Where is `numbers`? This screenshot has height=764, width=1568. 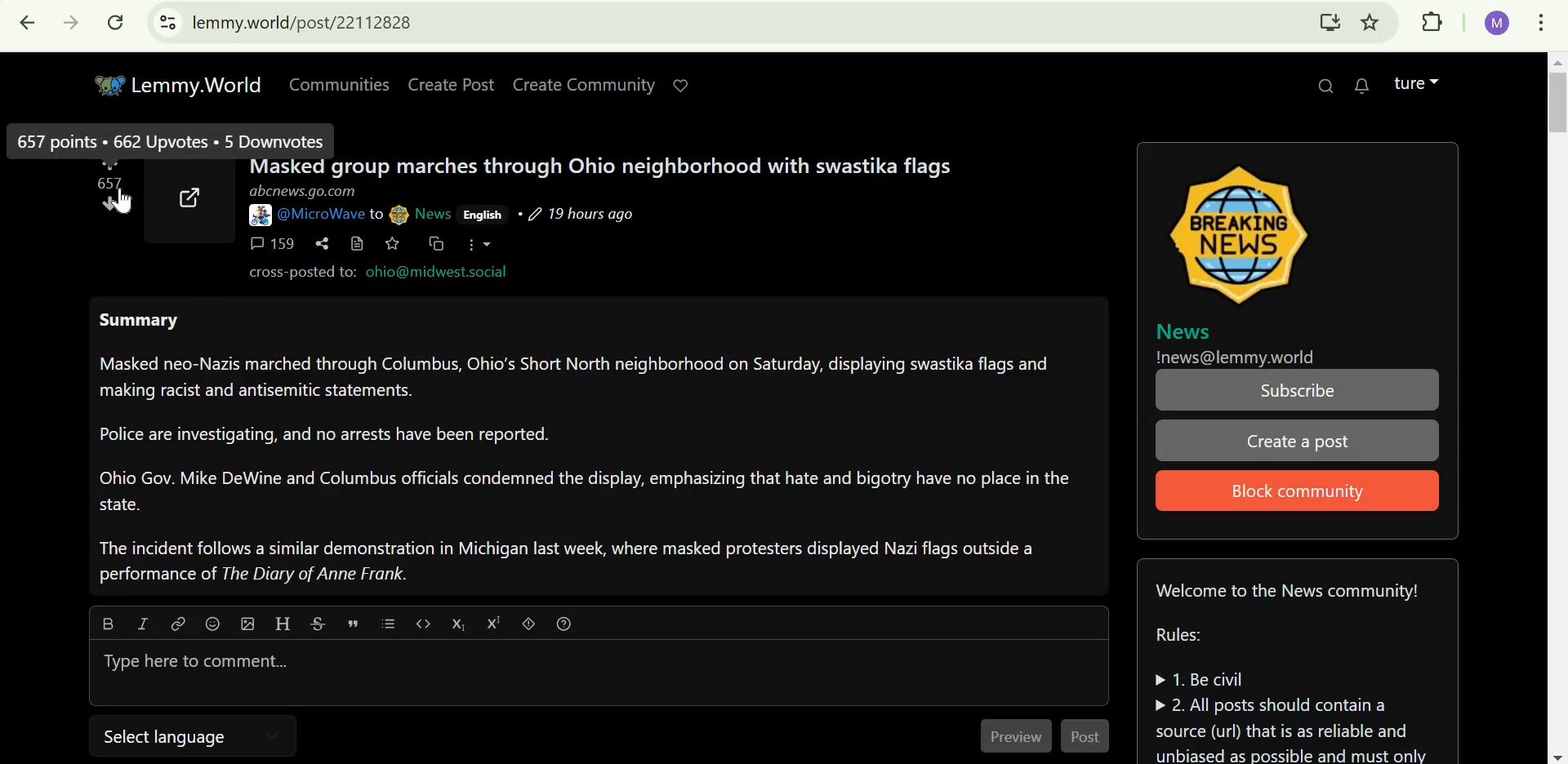
numbers is located at coordinates (113, 183).